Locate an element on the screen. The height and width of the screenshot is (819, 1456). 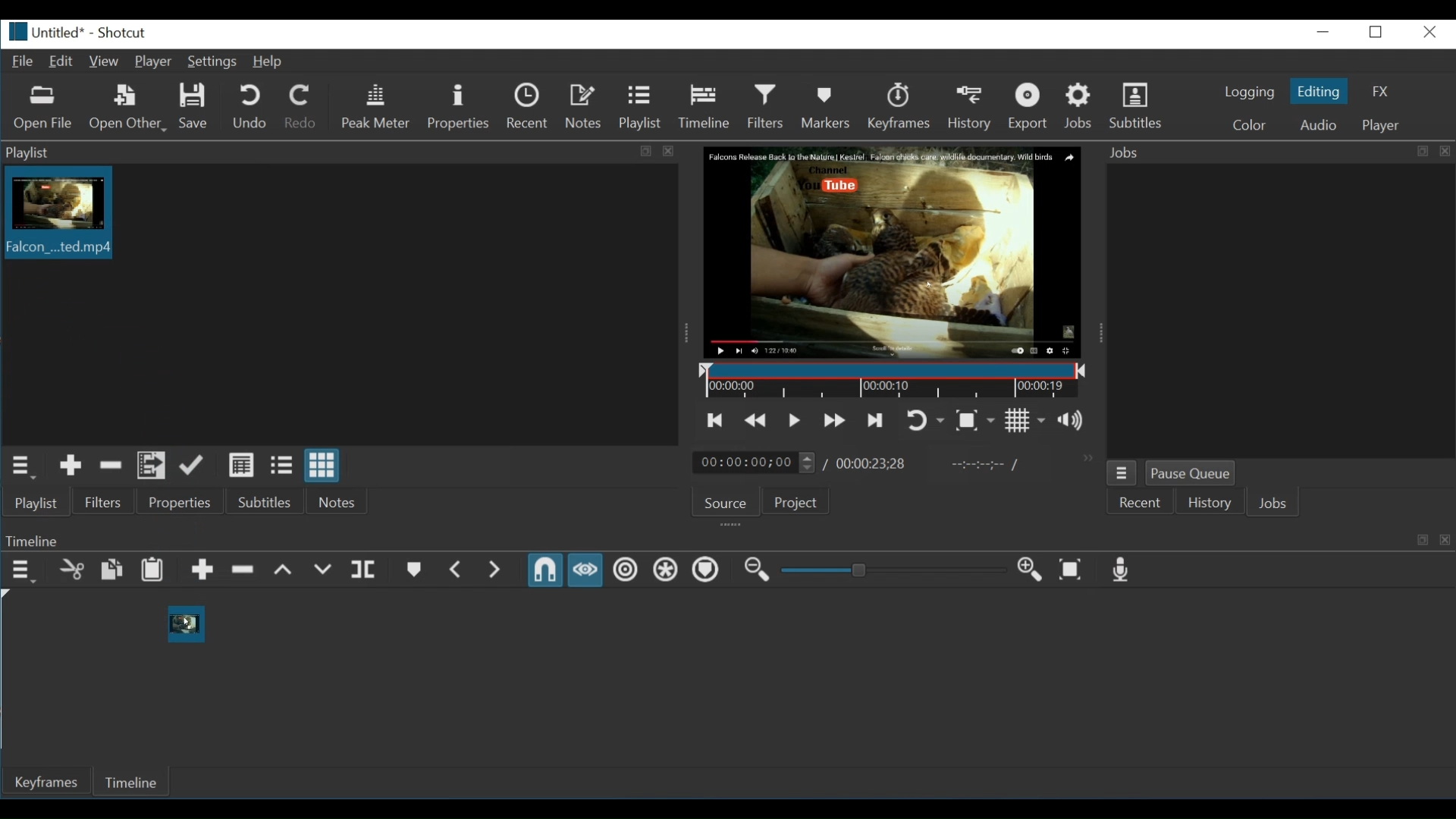
View as files is located at coordinates (281, 466).